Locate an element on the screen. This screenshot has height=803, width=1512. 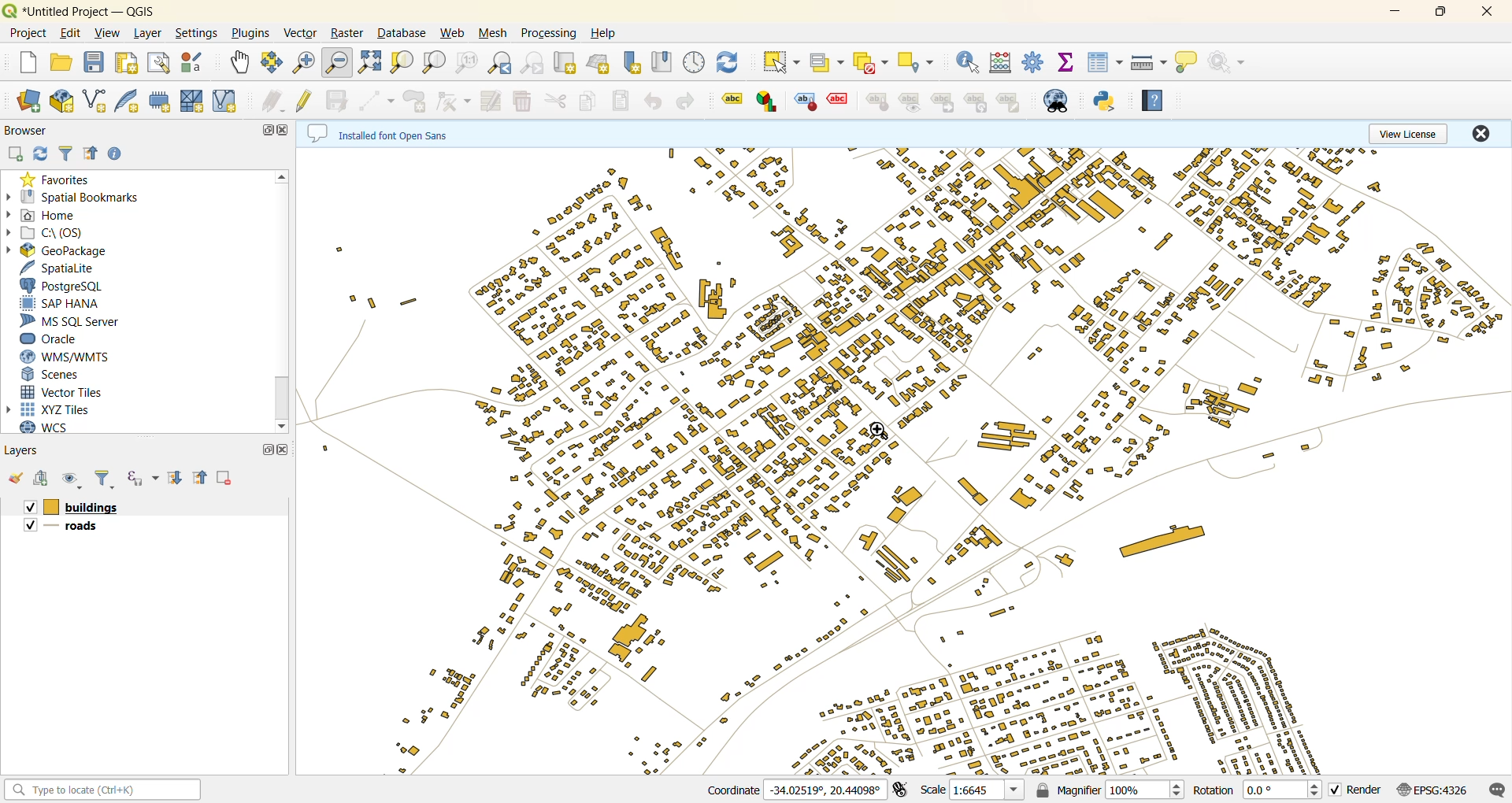
manage map is located at coordinates (74, 481).